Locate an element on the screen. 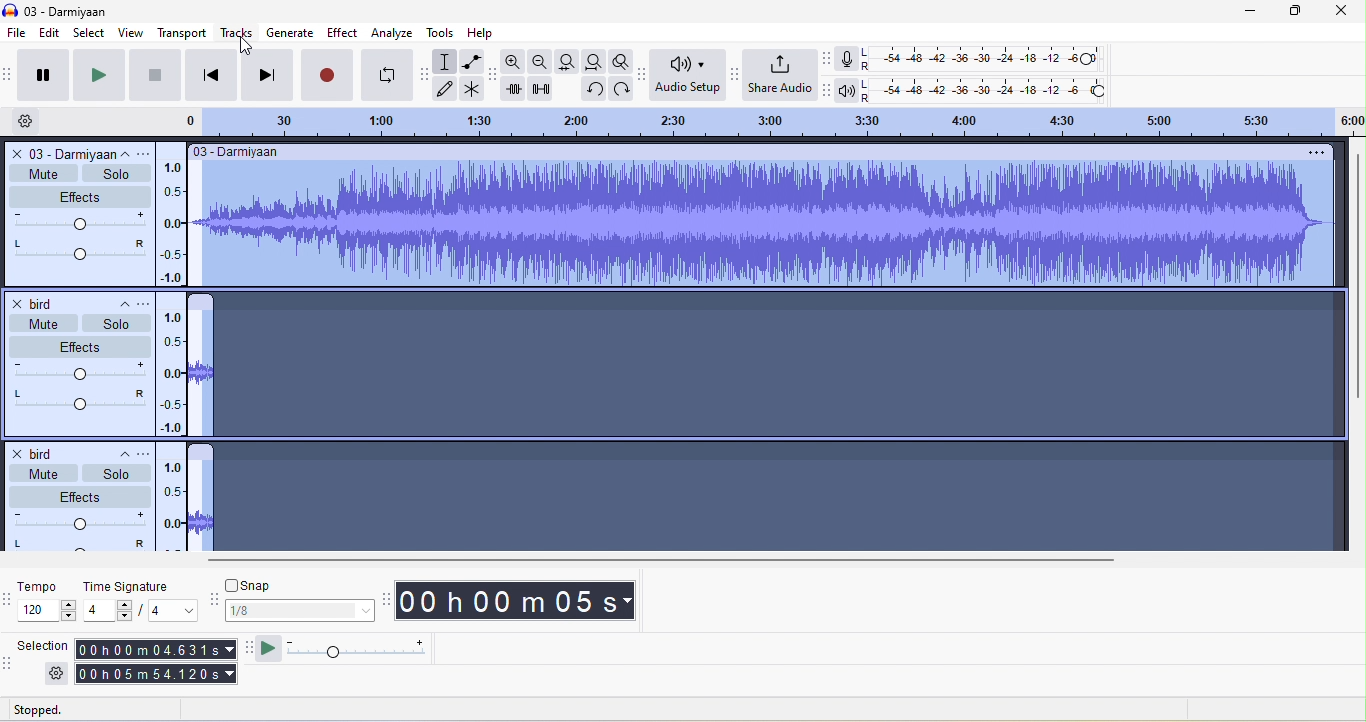 This screenshot has width=1366, height=722. open menu is located at coordinates (146, 154).